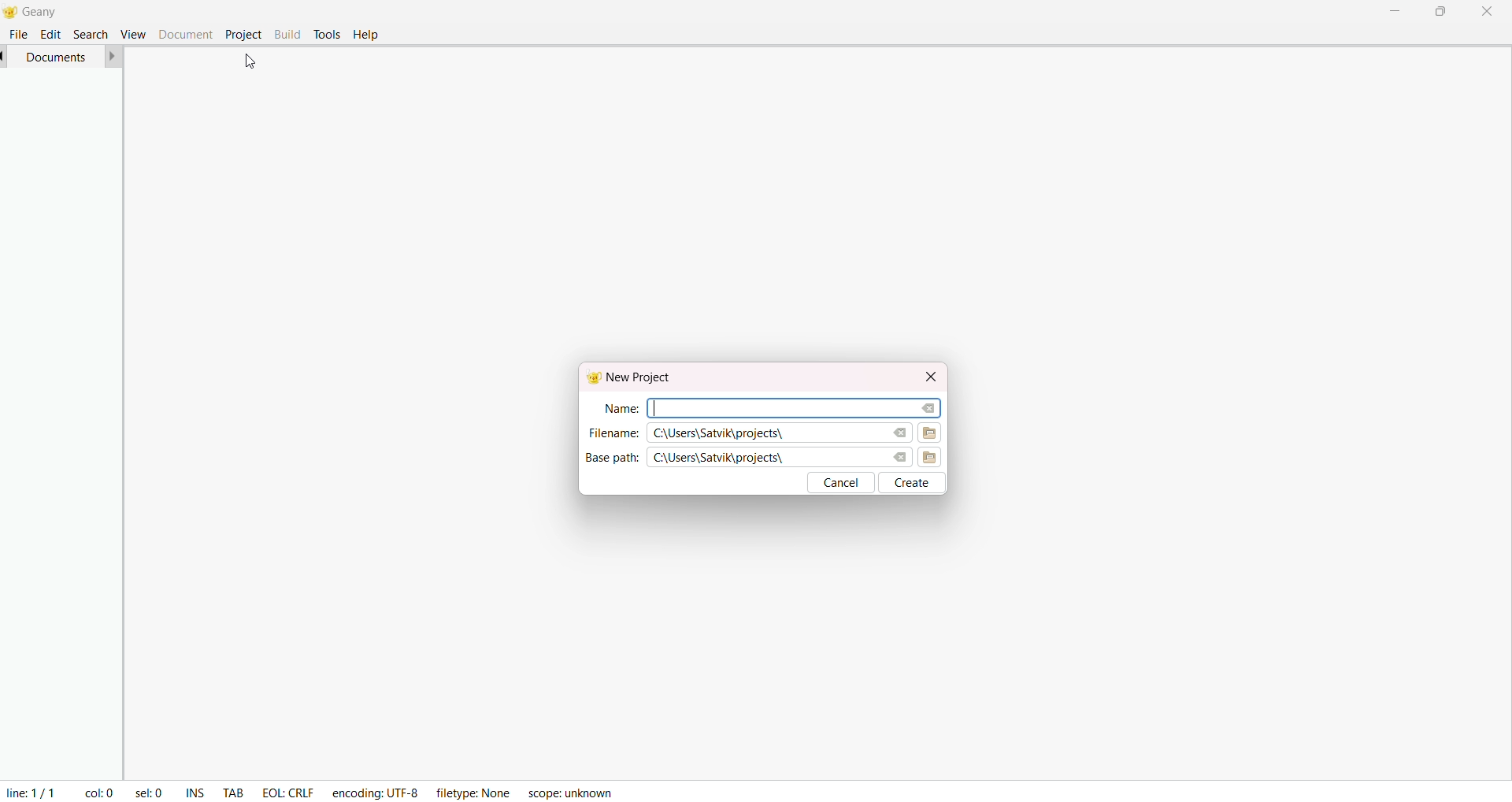 This screenshot has height=802, width=1512. Describe the element at coordinates (898, 455) in the screenshot. I see `clear file name` at that location.